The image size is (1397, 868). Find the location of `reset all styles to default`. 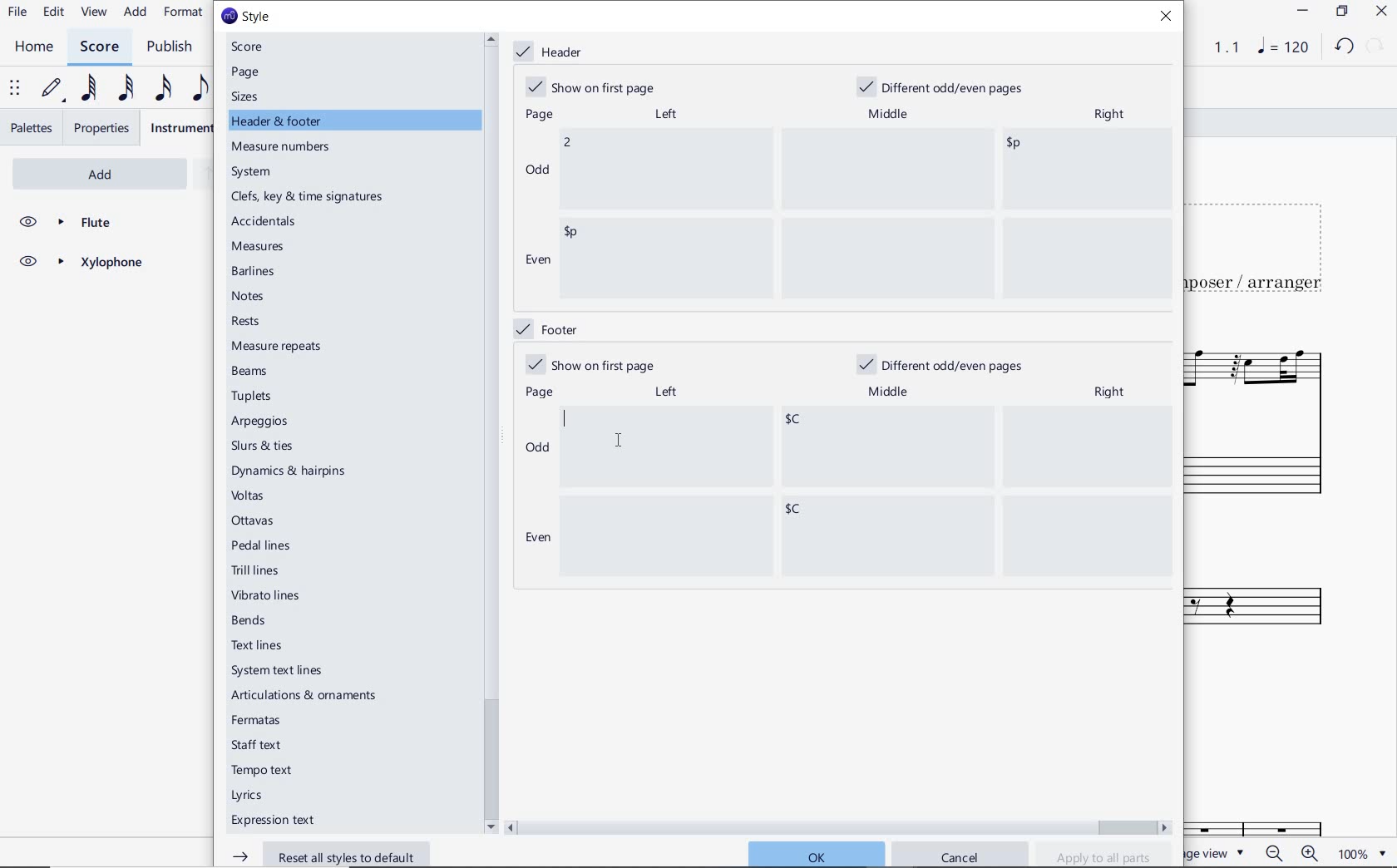

reset all styles to default is located at coordinates (332, 854).